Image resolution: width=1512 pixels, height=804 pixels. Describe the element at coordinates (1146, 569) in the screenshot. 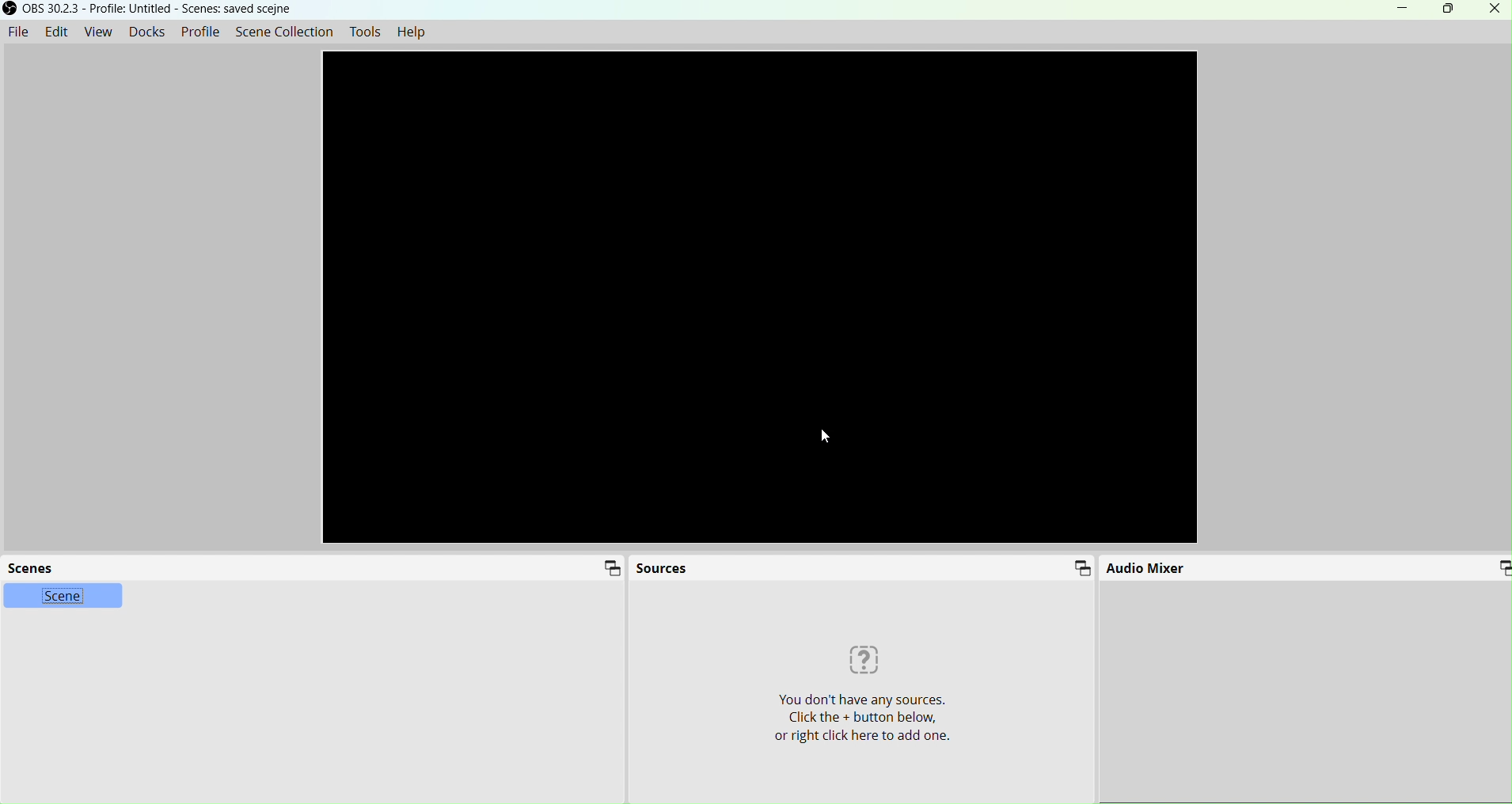

I see `Audio Mixer` at that location.